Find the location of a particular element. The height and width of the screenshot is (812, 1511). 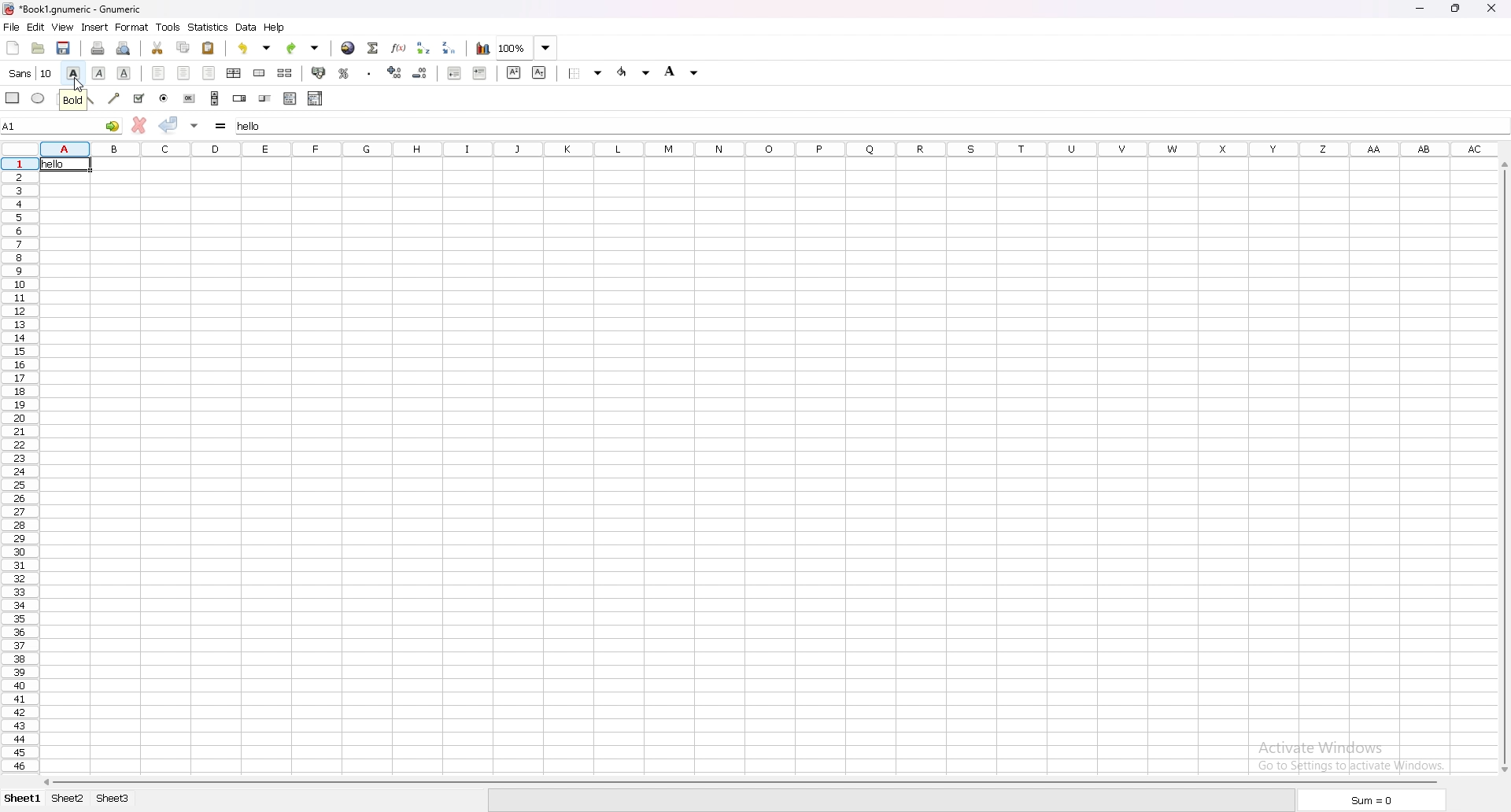

A1 is located at coordinates (61, 126).